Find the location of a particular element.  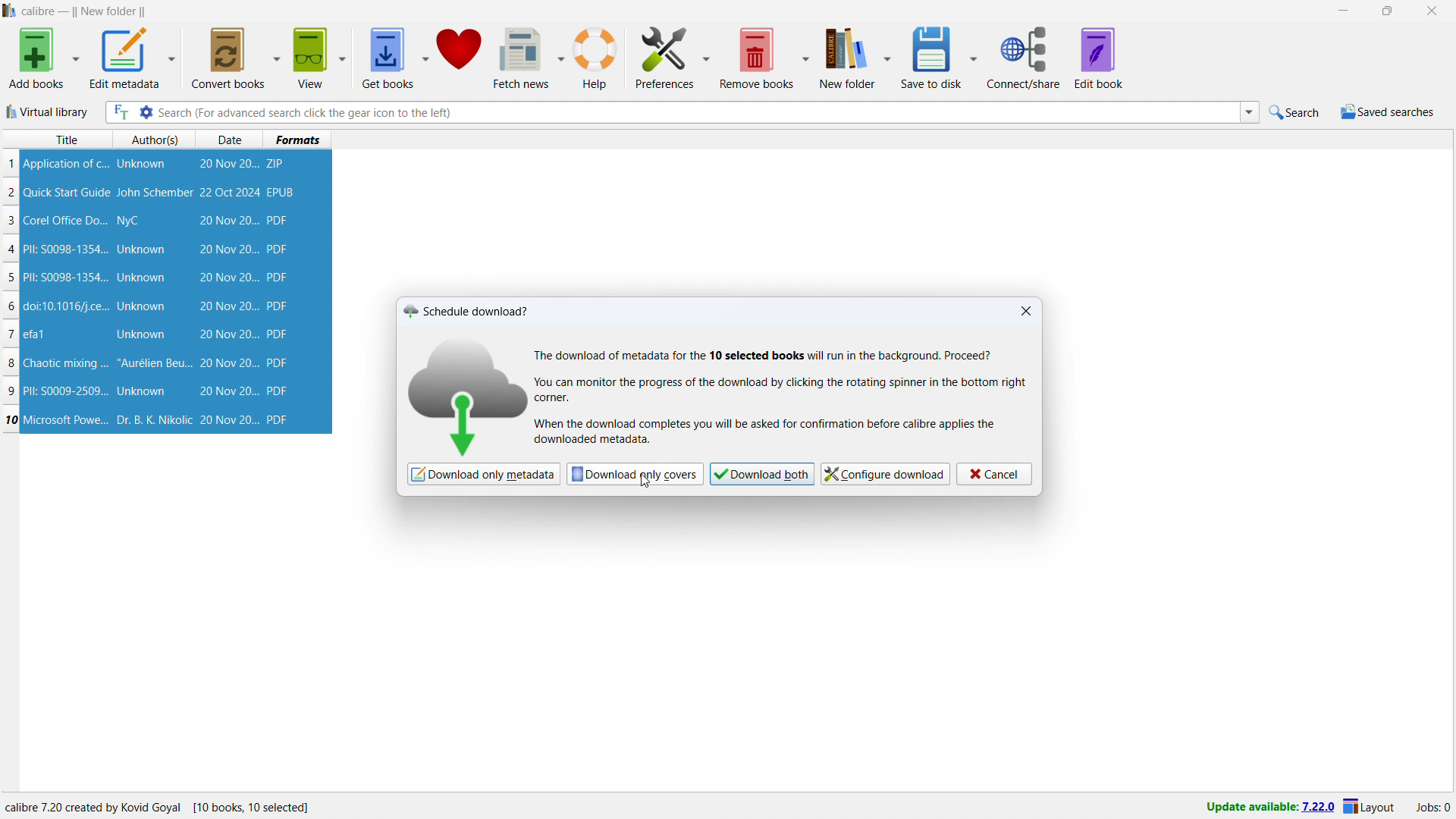

fetch new is located at coordinates (521, 58).